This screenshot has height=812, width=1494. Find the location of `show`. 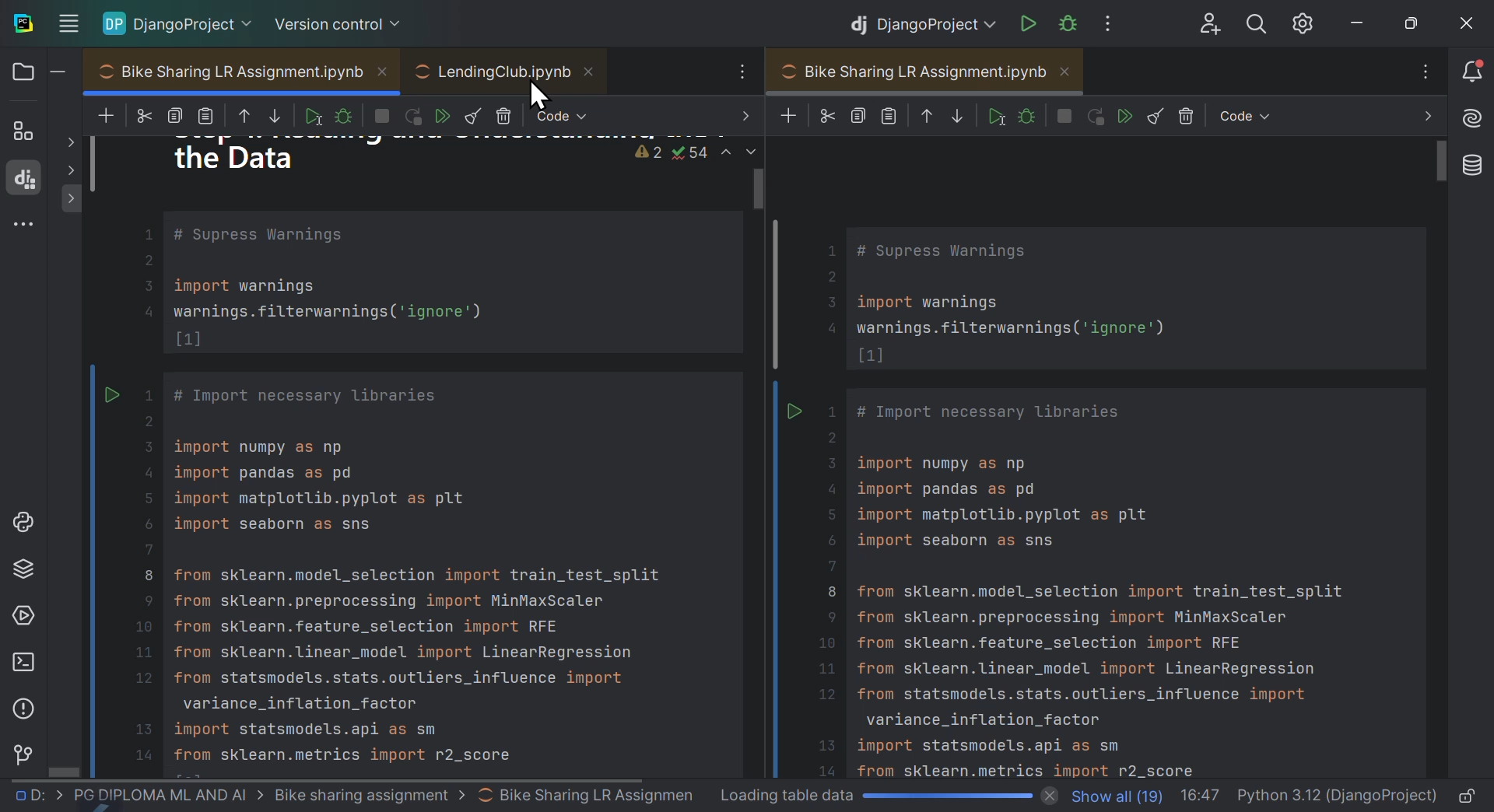

show is located at coordinates (72, 170).